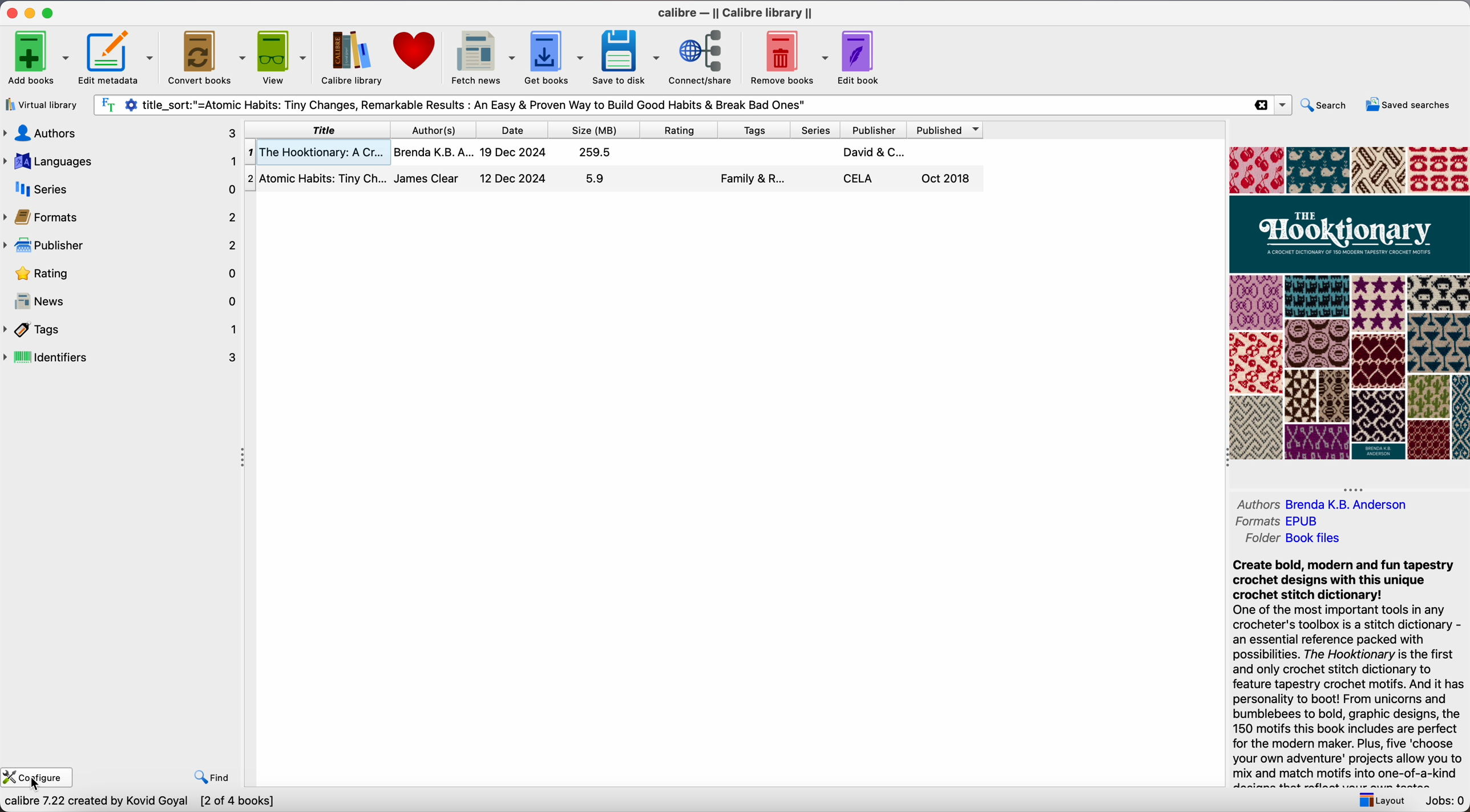 This screenshot has height=812, width=1470. Describe the element at coordinates (1406, 106) in the screenshot. I see `saved searches` at that location.